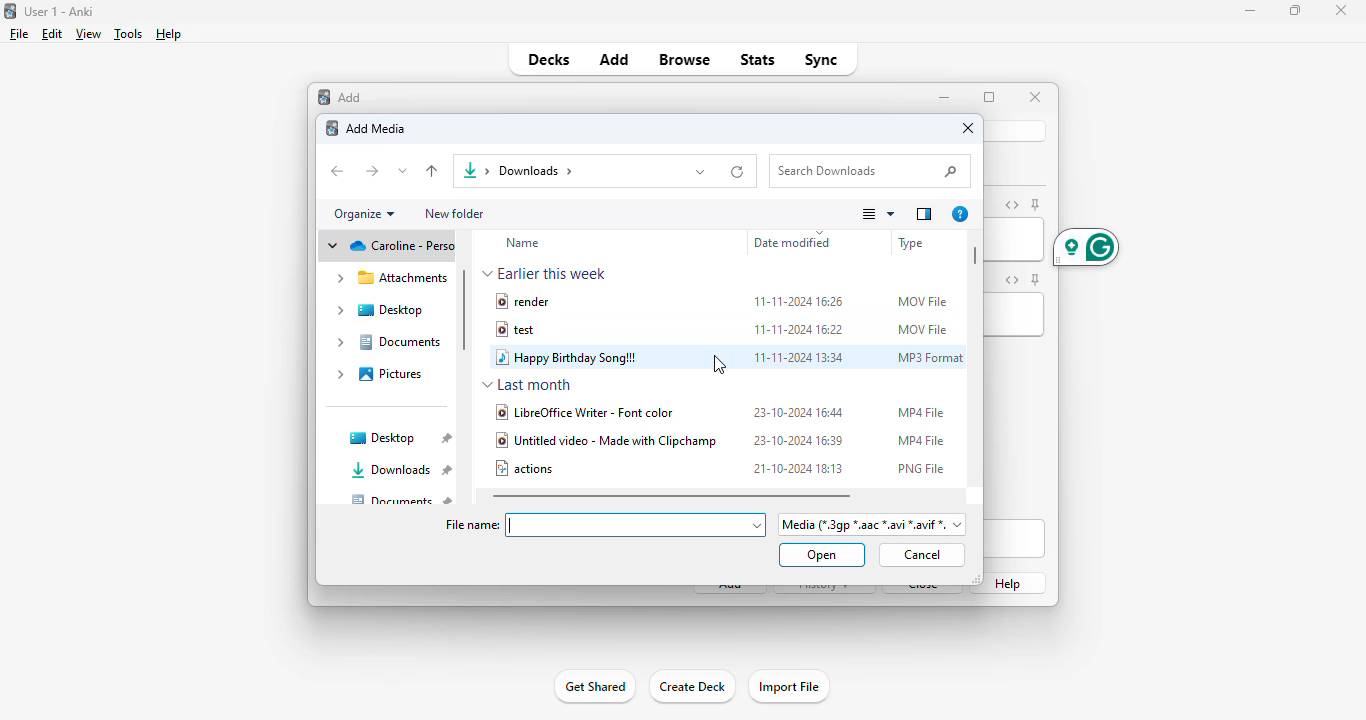 This screenshot has width=1366, height=720. Describe the element at coordinates (403, 170) in the screenshot. I see `recent locations` at that location.